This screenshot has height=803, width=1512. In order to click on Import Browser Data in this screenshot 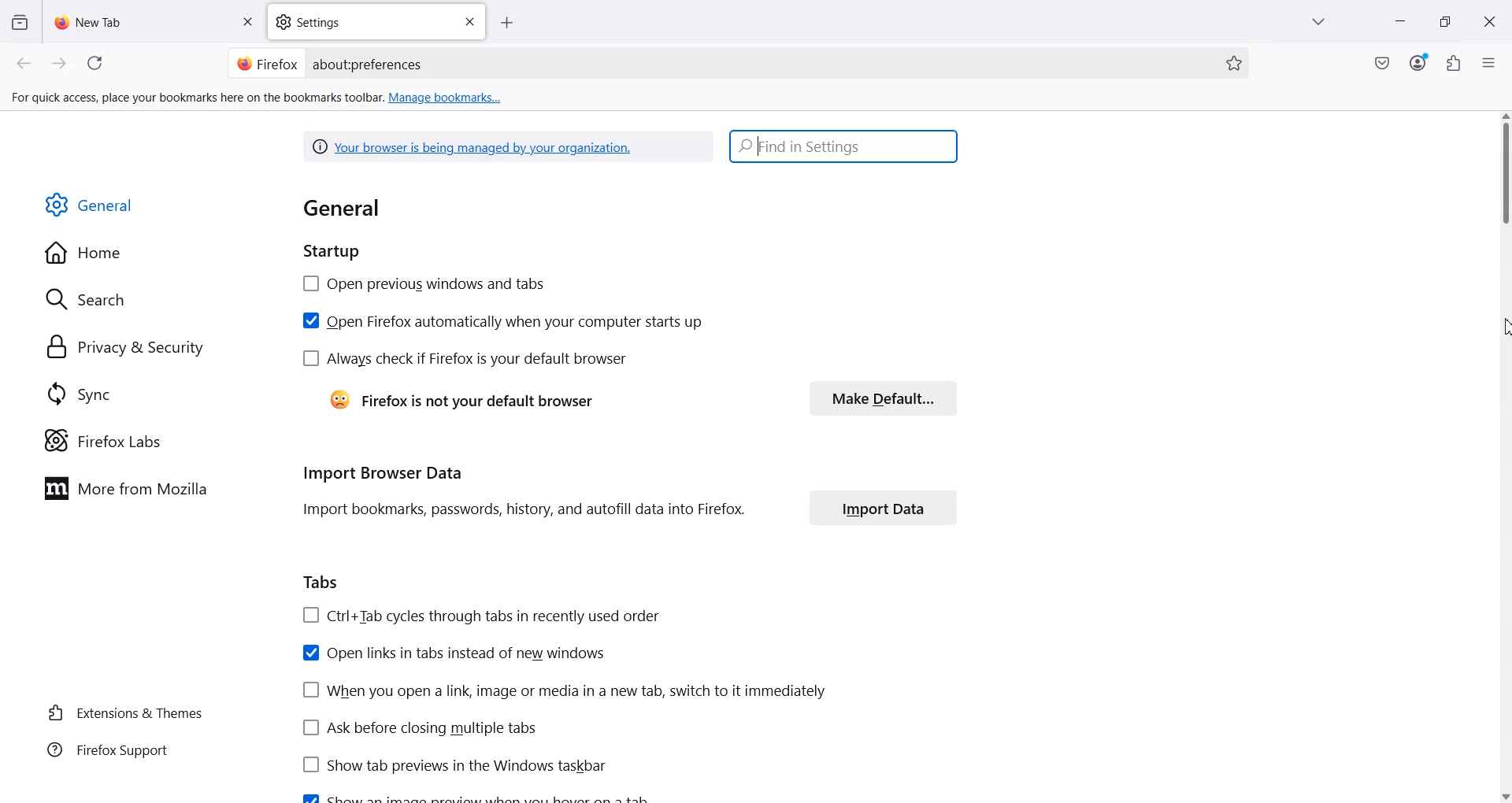, I will do `click(378, 472)`.